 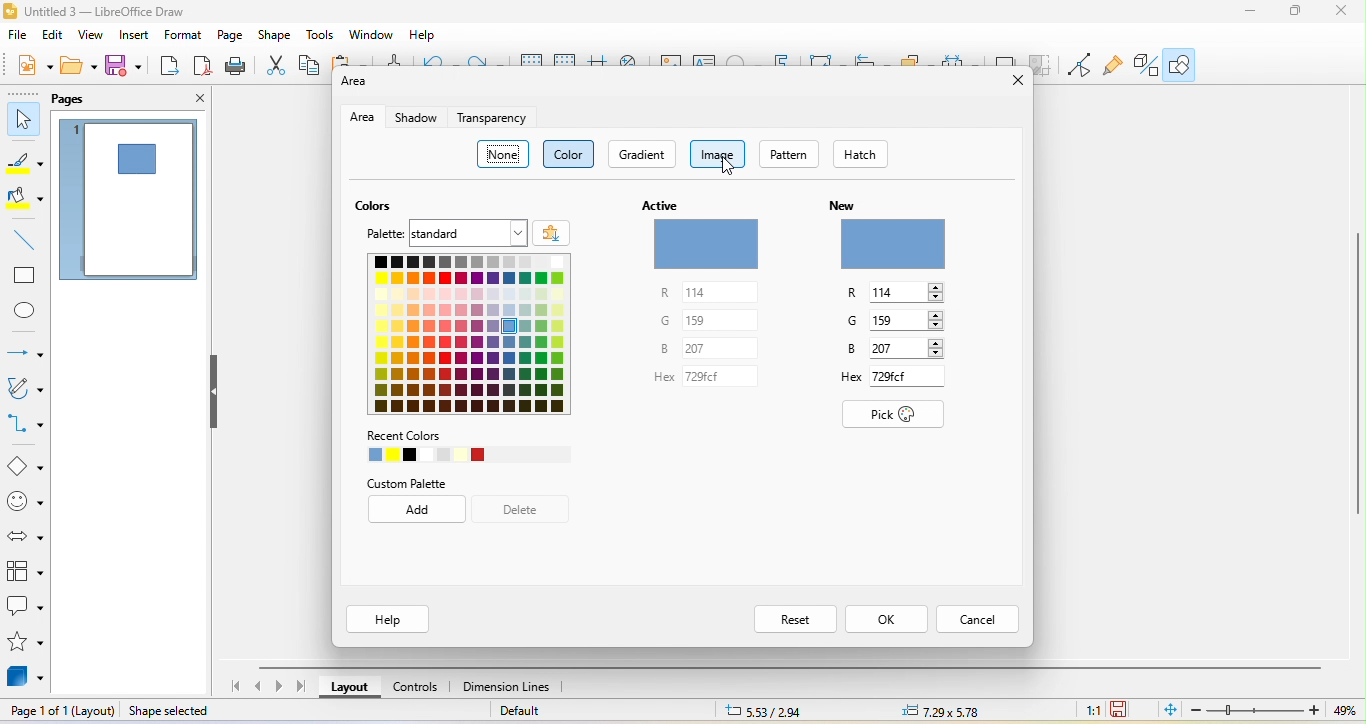 I want to click on pattern, so click(x=792, y=154).